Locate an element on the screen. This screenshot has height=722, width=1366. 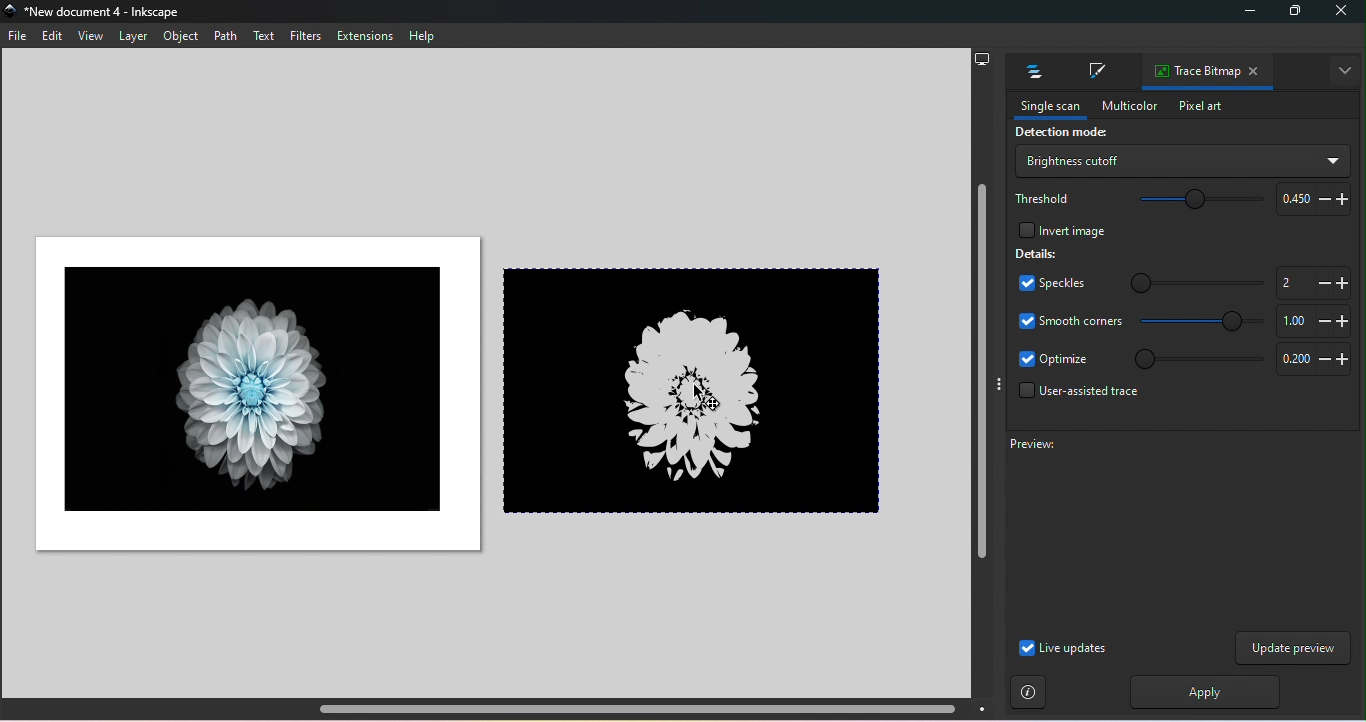
Toggle display options is located at coordinates (998, 384).